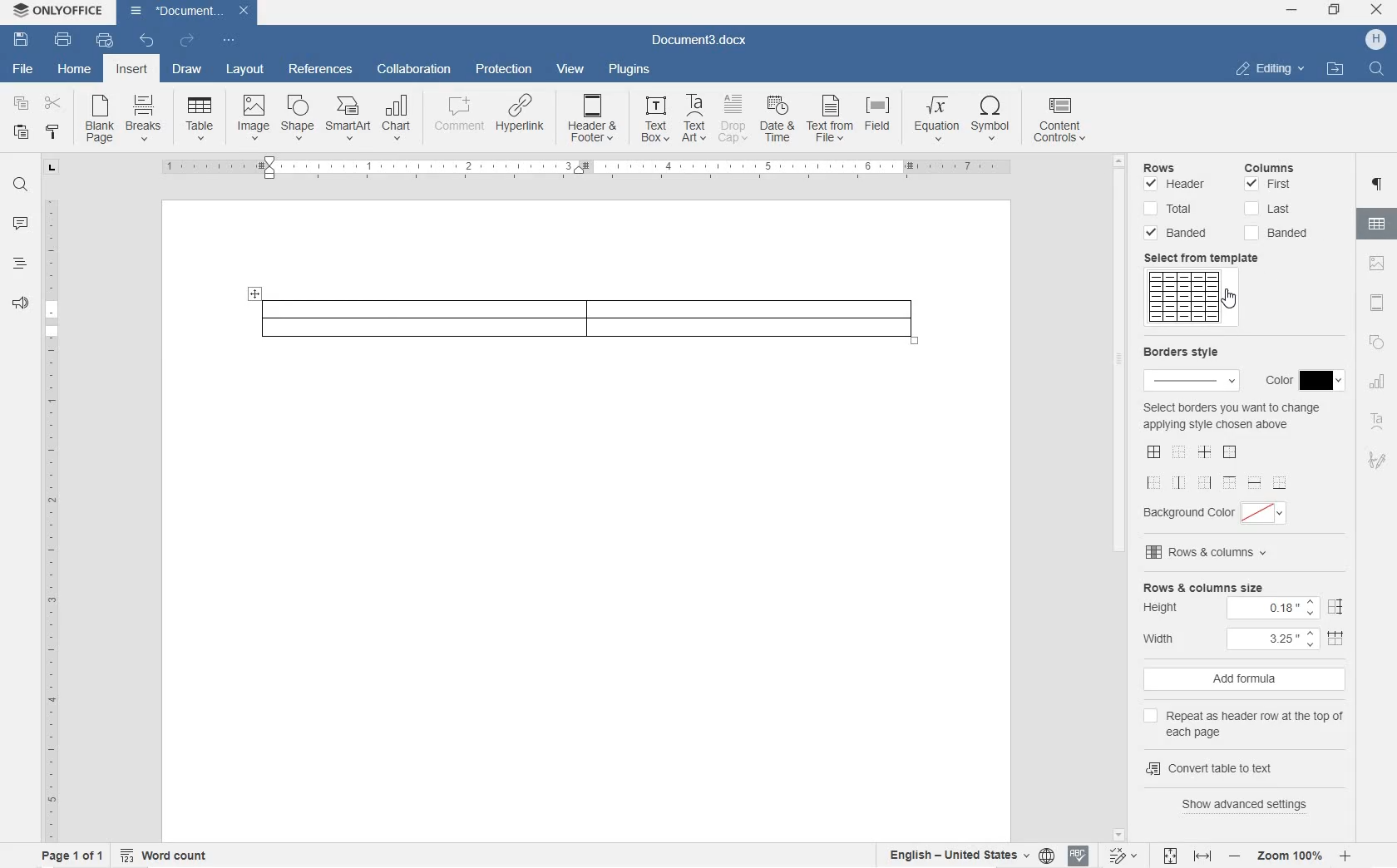  Describe the element at coordinates (1179, 234) in the screenshot. I see `Banded` at that location.